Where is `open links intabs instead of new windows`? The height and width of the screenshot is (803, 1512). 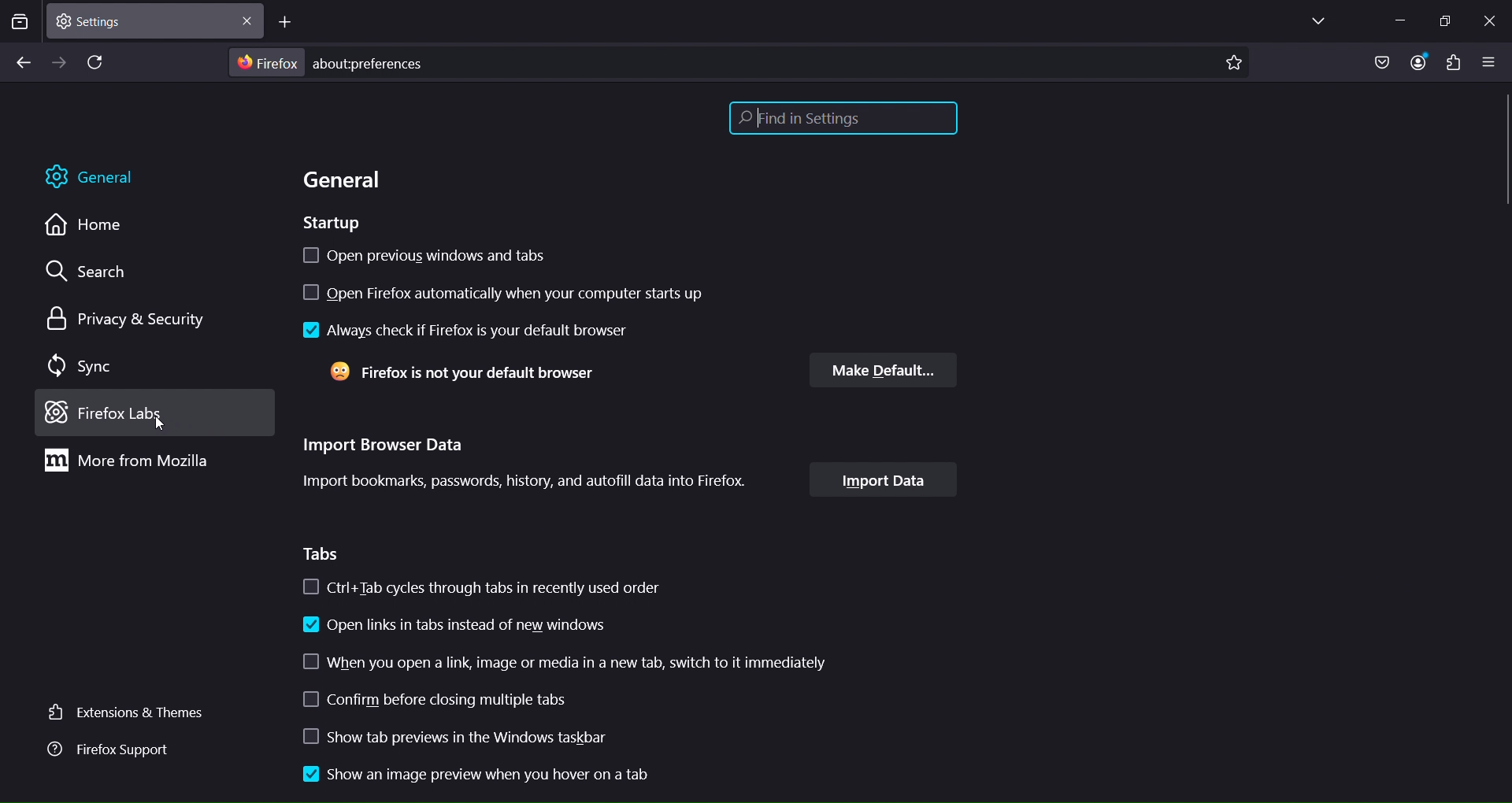 open links intabs instead of new windows is located at coordinates (454, 624).